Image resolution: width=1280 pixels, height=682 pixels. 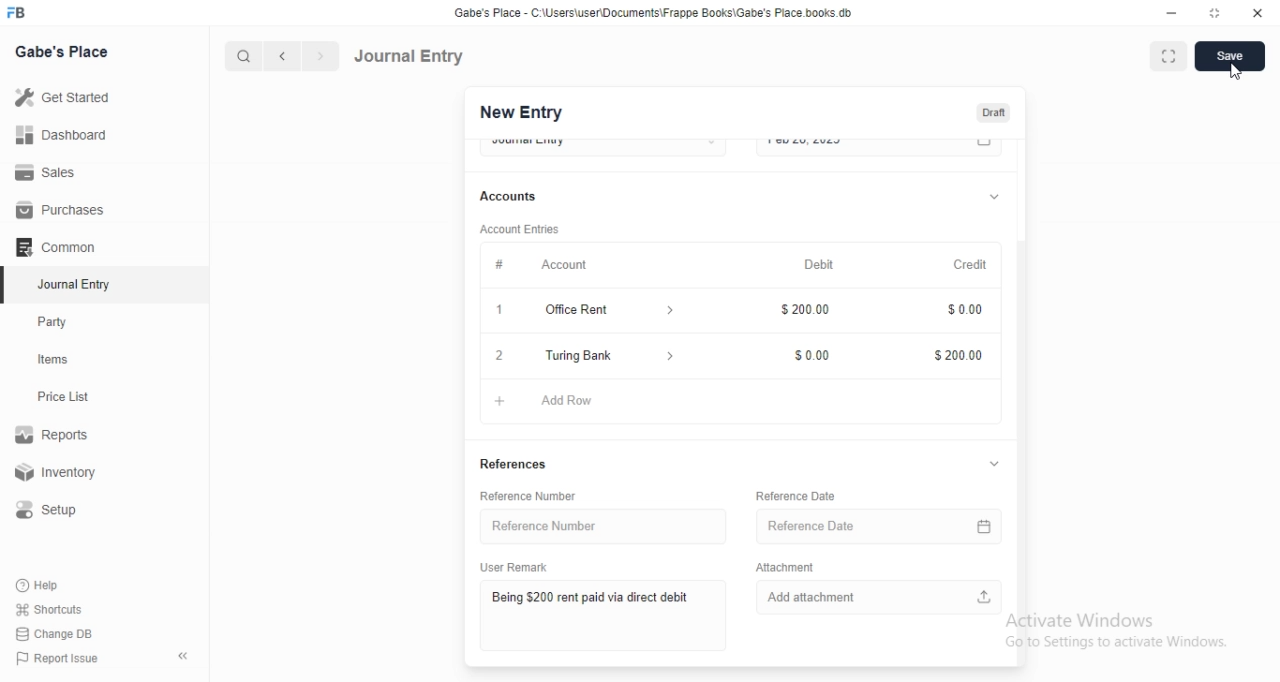 What do you see at coordinates (77, 284) in the screenshot?
I see `‘Journal Entry` at bounding box center [77, 284].